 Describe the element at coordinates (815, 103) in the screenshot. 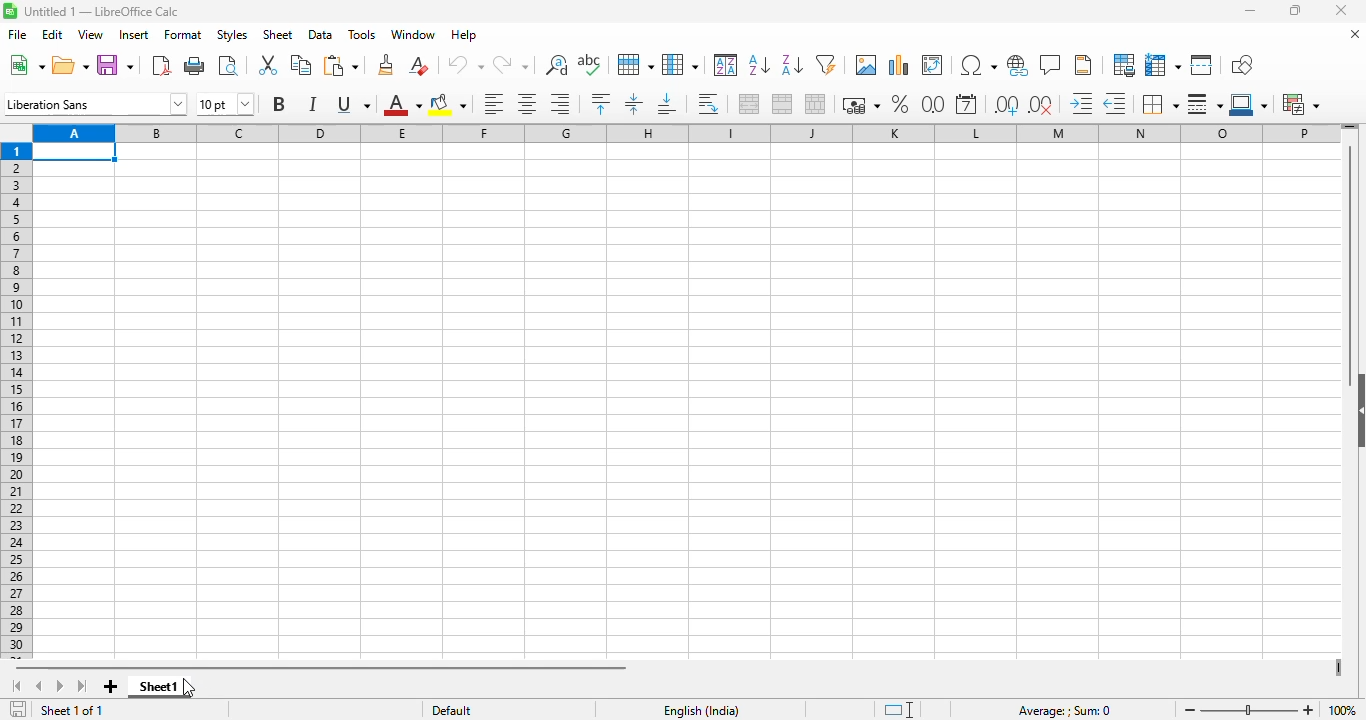

I see `unmerge cells` at that location.